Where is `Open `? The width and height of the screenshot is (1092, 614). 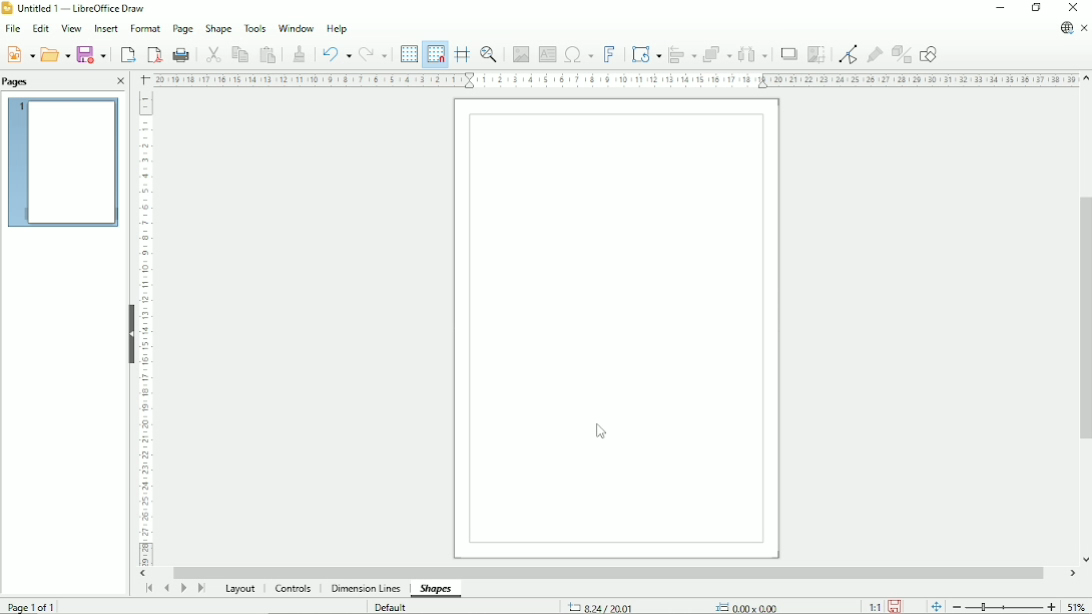
Open  is located at coordinates (55, 53).